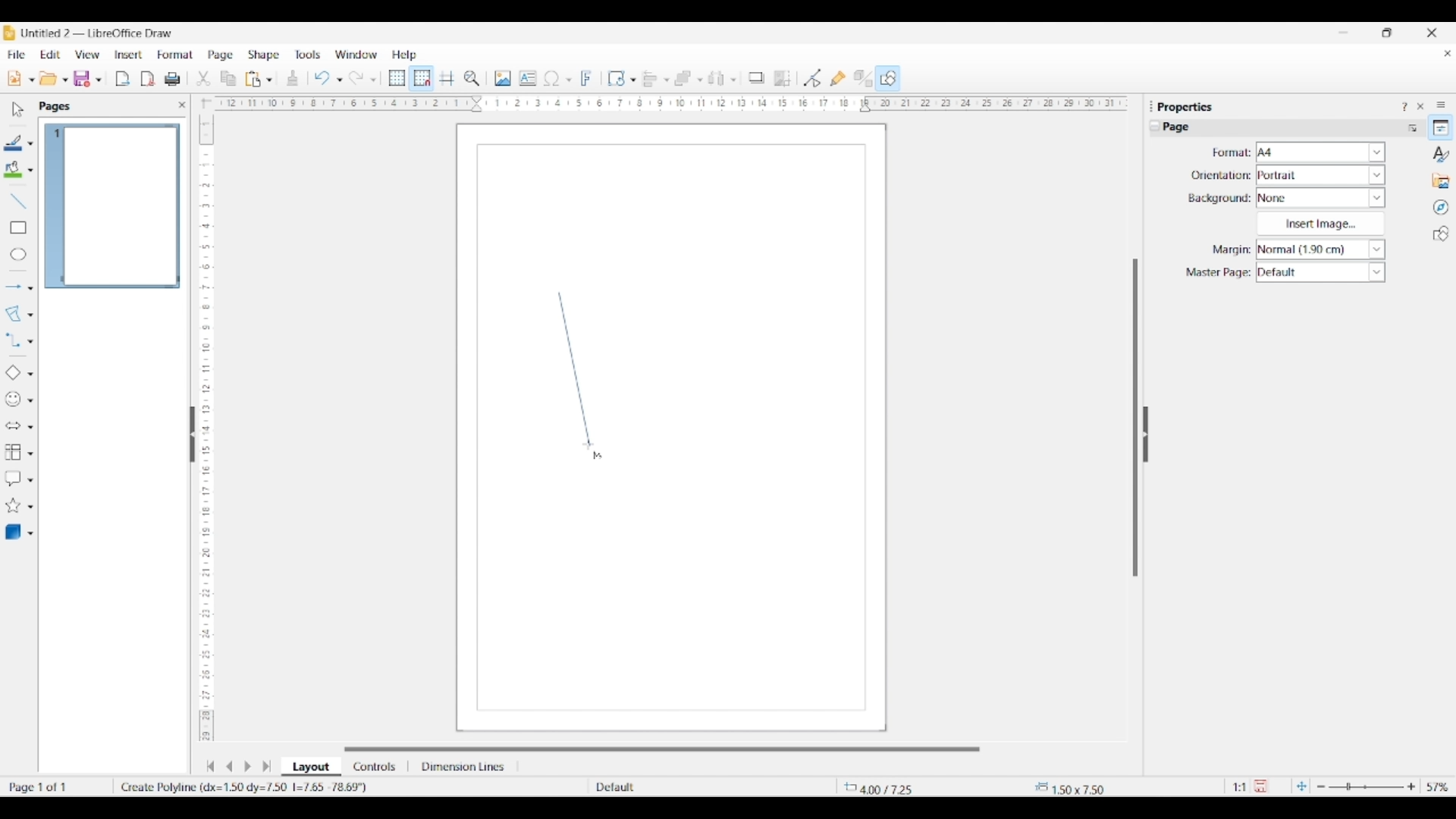 Image resolution: width=1456 pixels, height=819 pixels. What do you see at coordinates (1320, 272) in the screenshot?
I see `Master page options` at bounding box center [1320, 272].